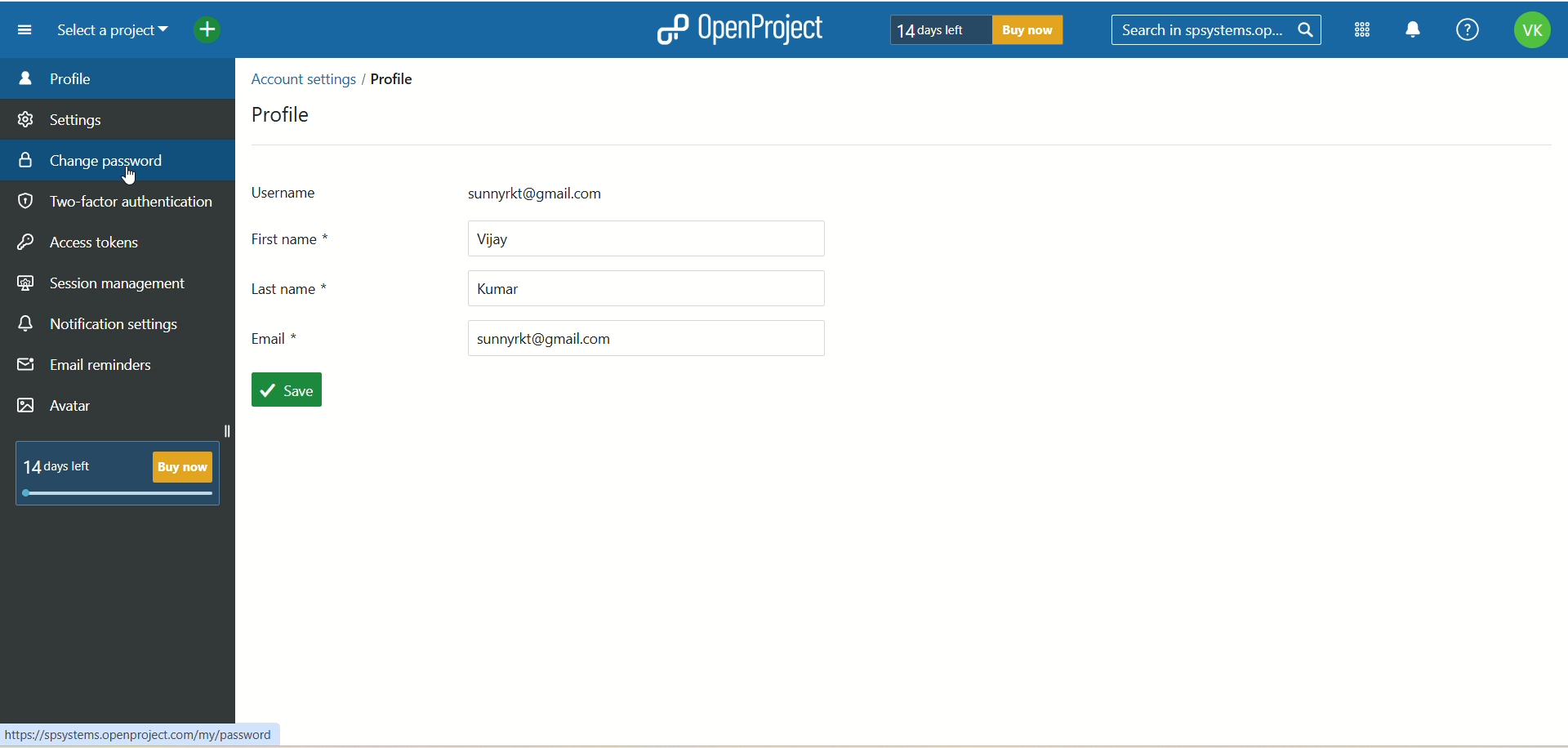  I want to click on two-factor authentication, so click(120, 206).